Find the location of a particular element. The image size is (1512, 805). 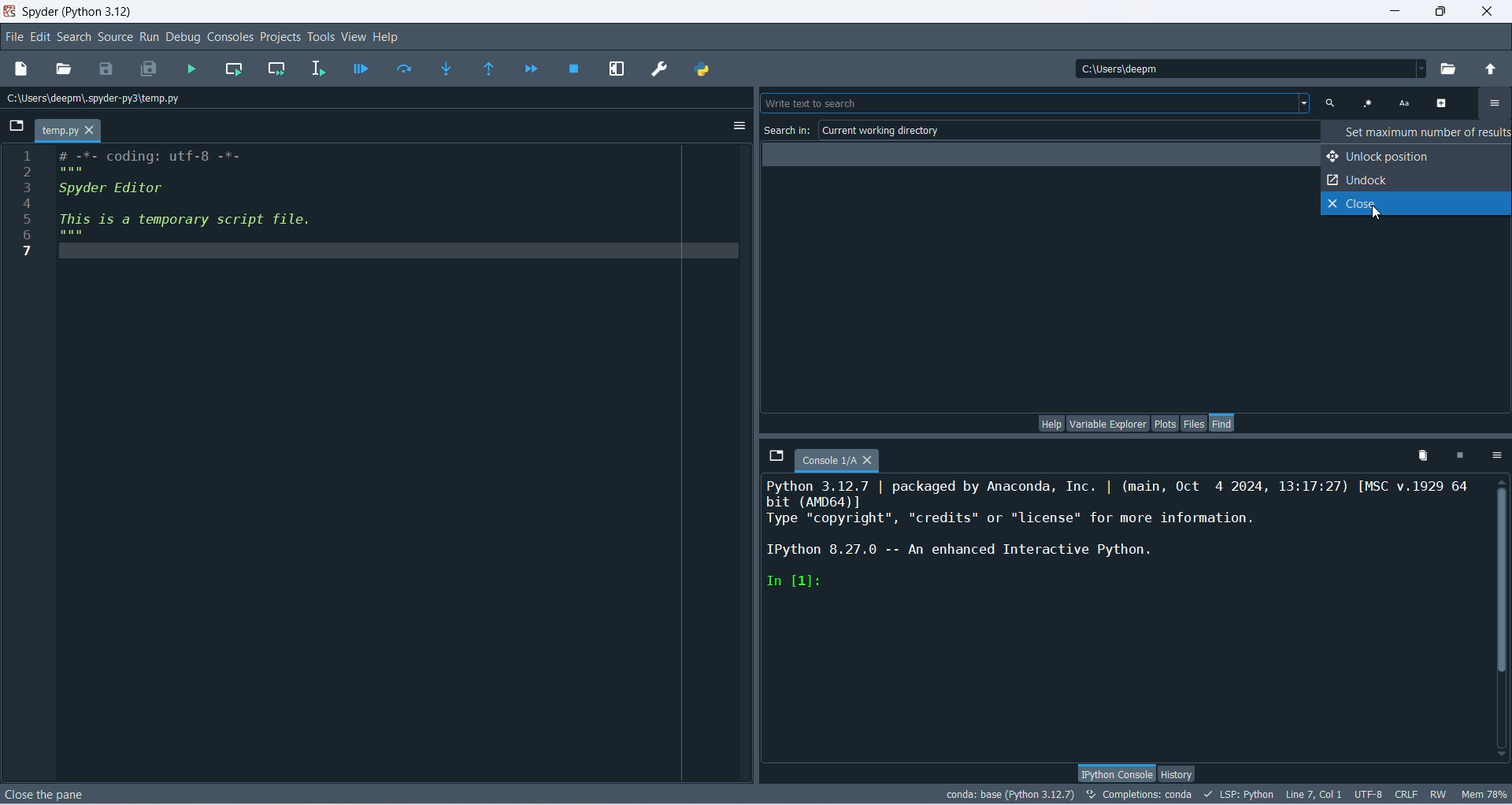

consoles is located at coordinates (231, 36).